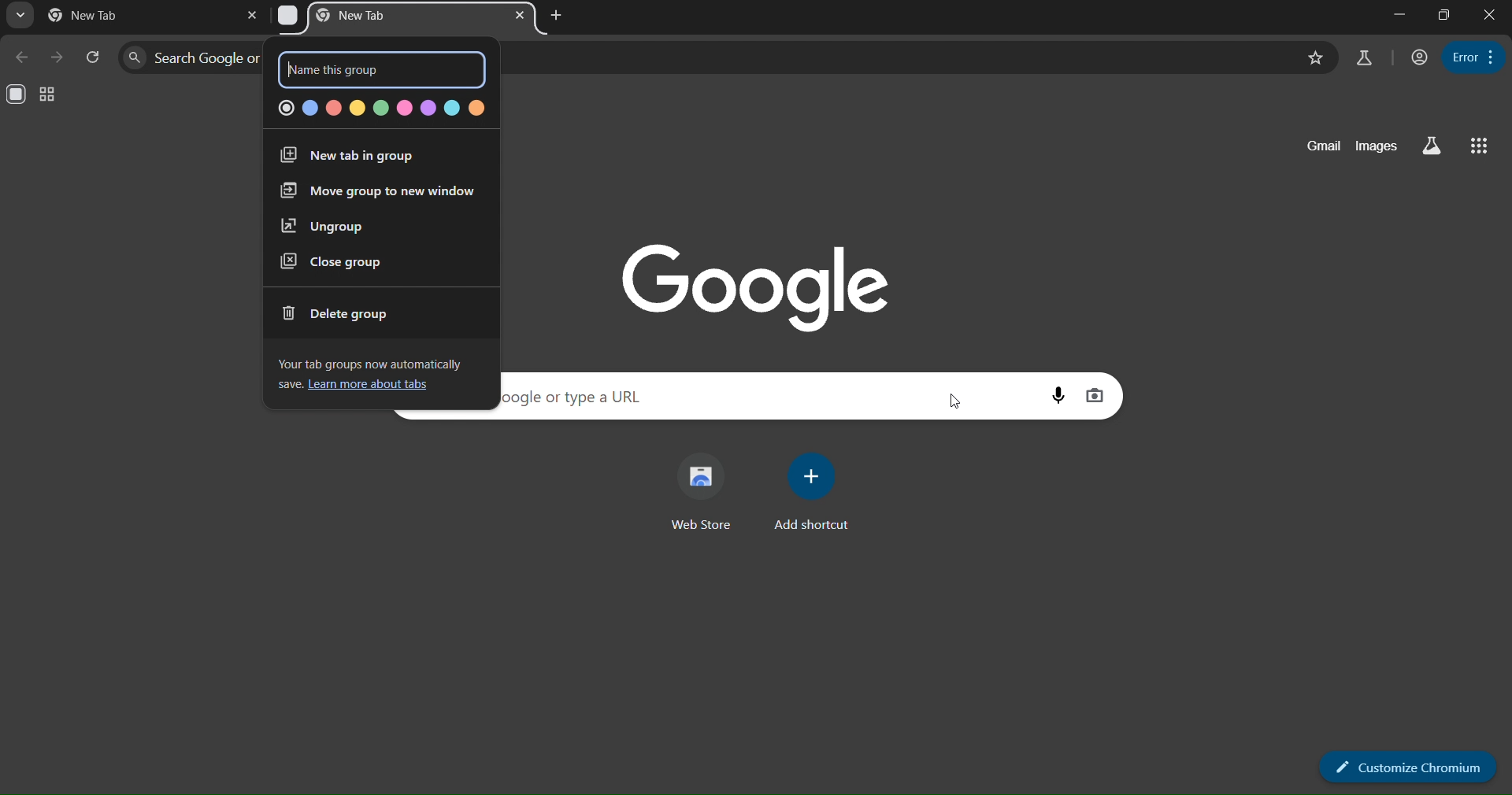 The height and width of the screenshot is (795, 1512). What do you see at coordinates (1436, 146) in the screenshot?
I see `search labs` at bounding box center [1436, 146].